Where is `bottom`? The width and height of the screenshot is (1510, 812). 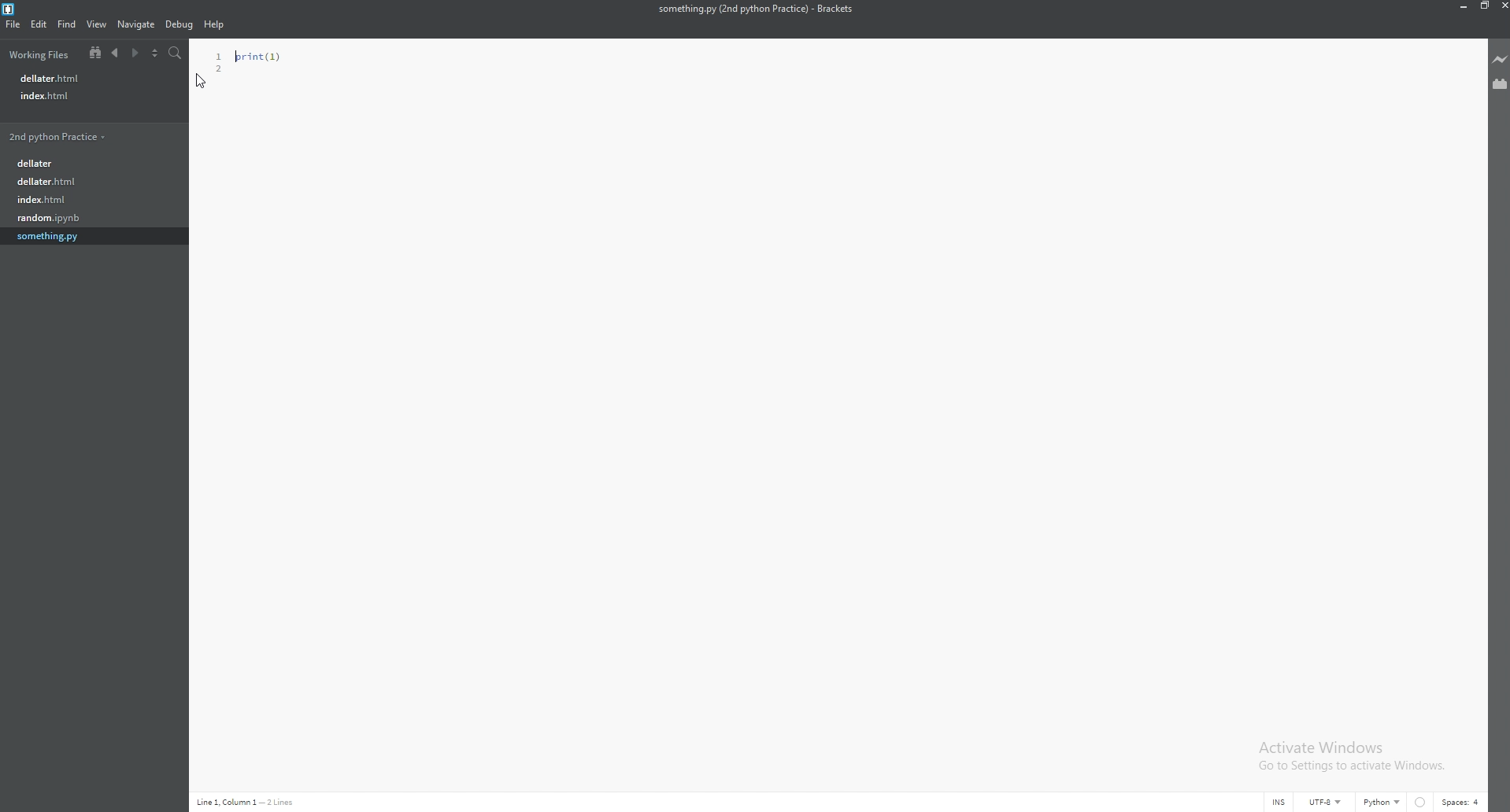
bottom is located at coordinates (59, 137).